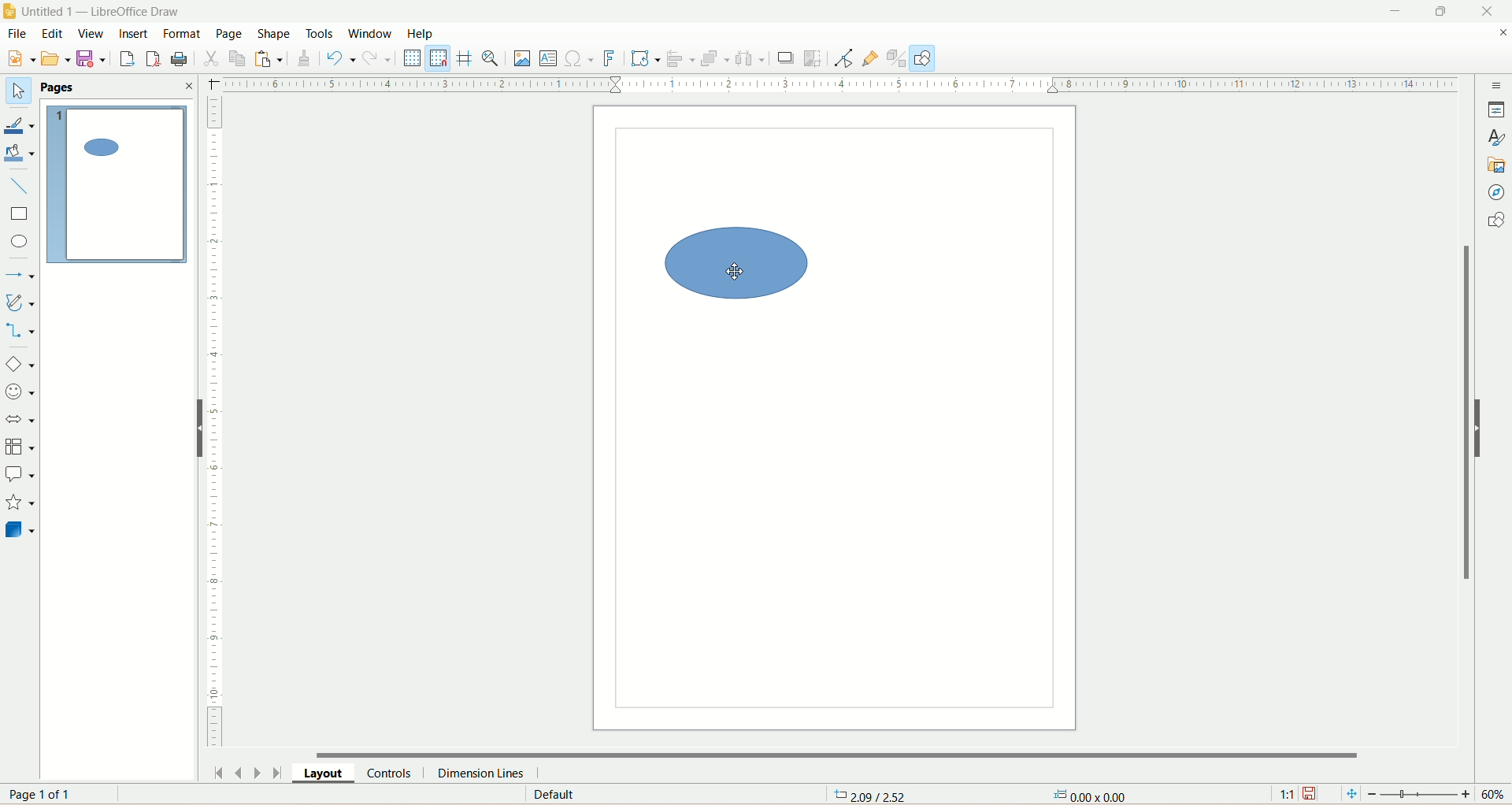 The height and width of the screenshot is (805, 1512). I want to click on maximize, so click(1440, 11).